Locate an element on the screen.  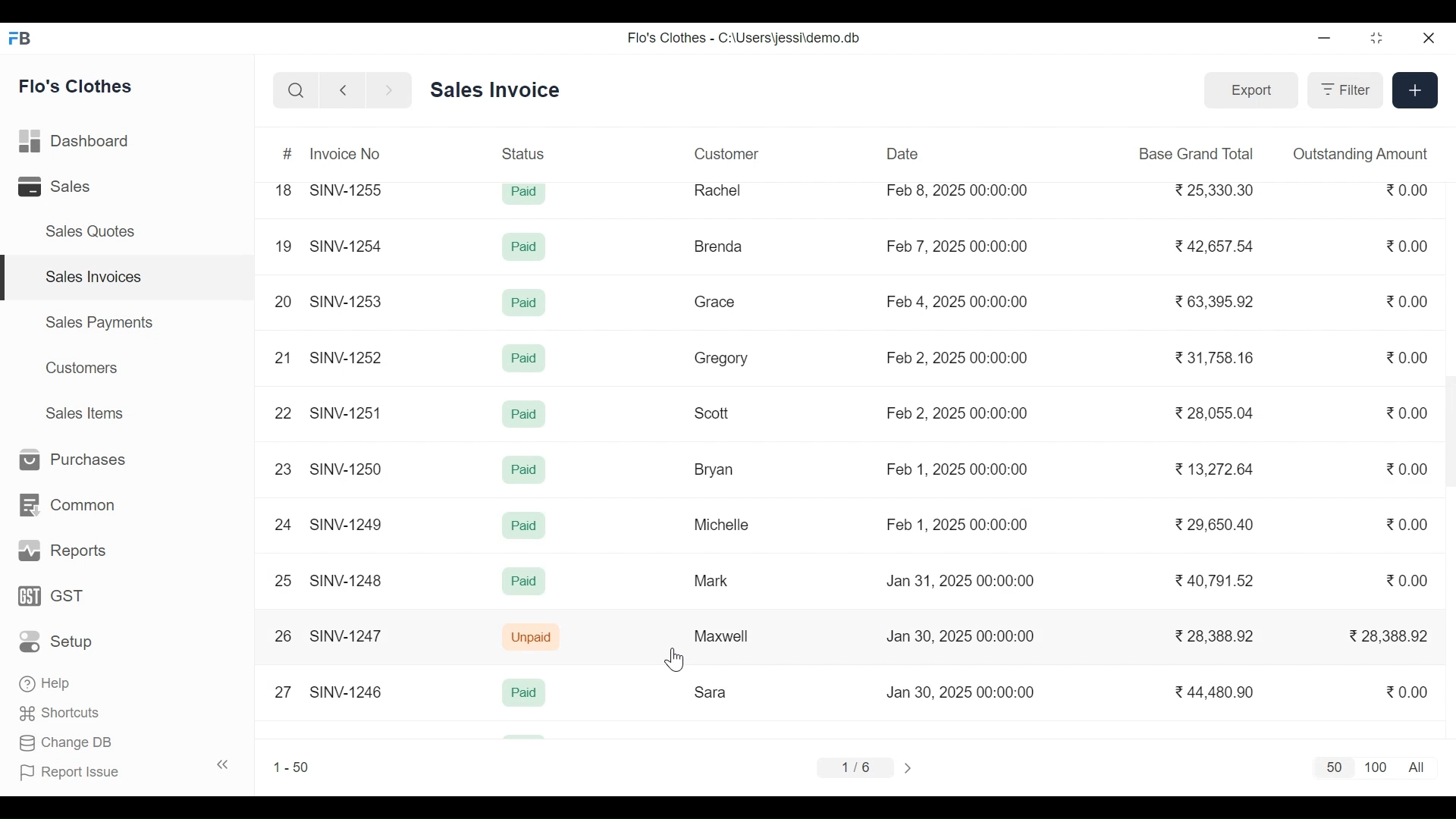
Feb 1, 2025 00:00:00 is located at coordinates (957, 468).